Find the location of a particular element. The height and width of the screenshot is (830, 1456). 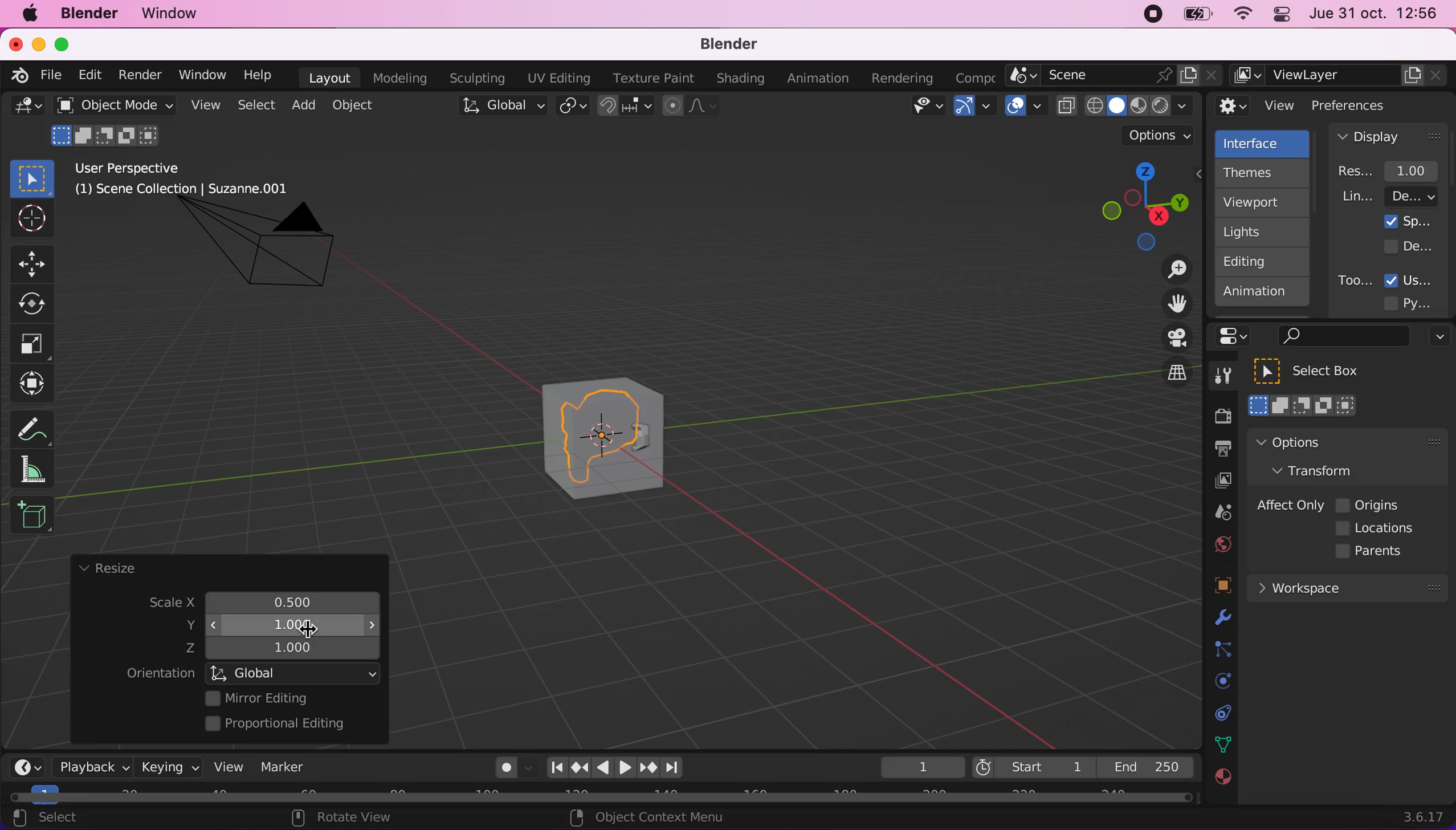

world is located at coordinates (1220, 543).